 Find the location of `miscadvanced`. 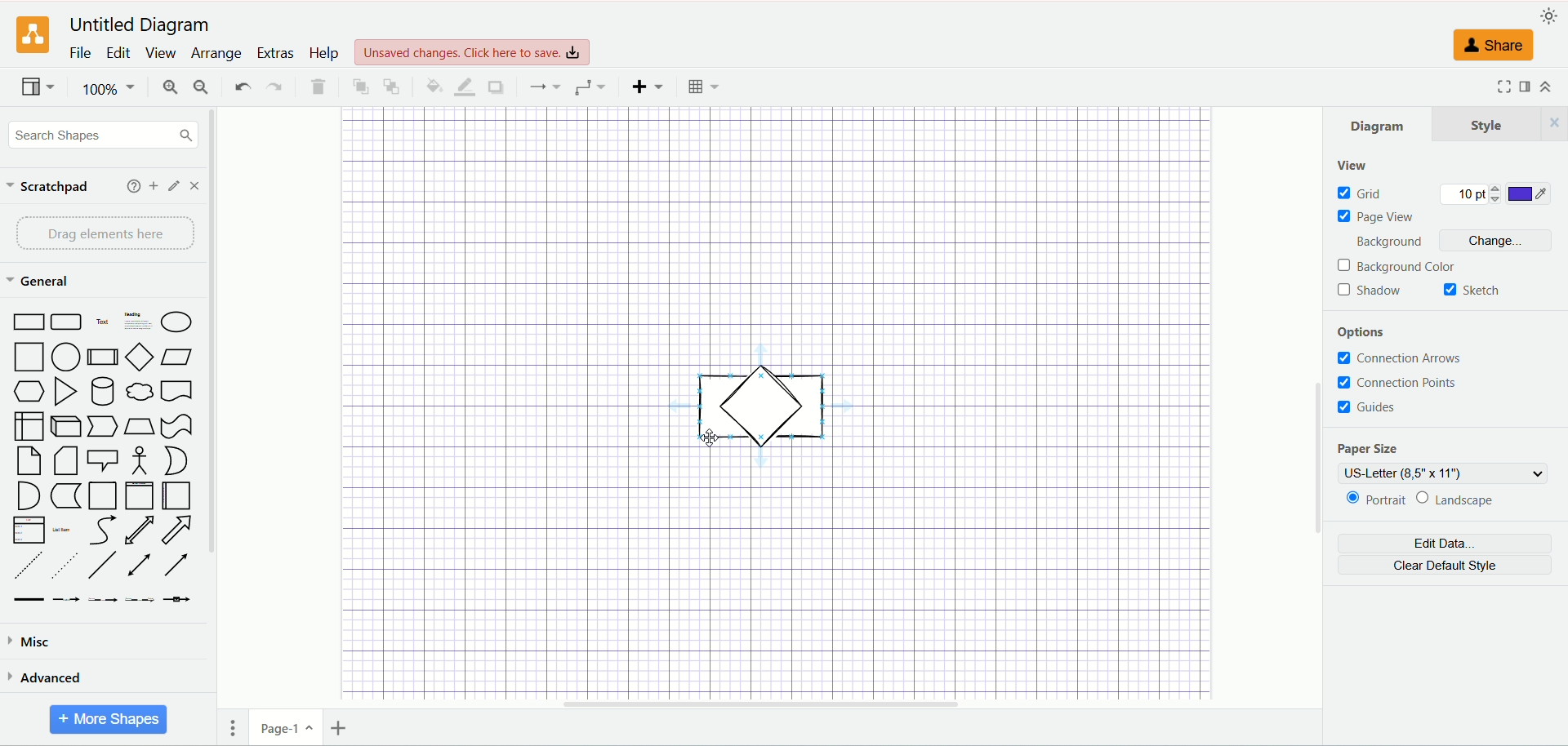

miscadvanced is located at coordinates (36, 644).